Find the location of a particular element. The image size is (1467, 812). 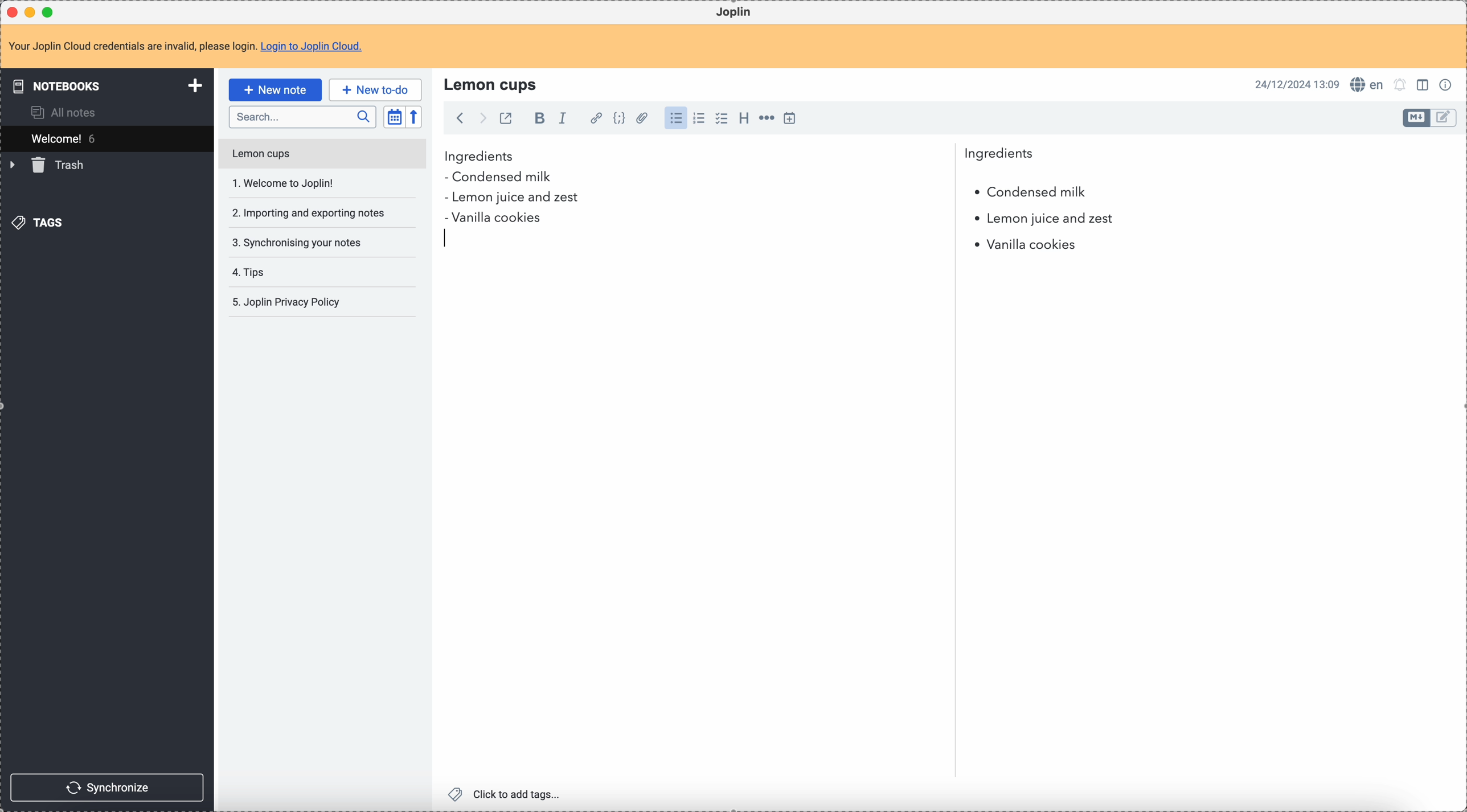

insert time is located at coordinates (789, 118).